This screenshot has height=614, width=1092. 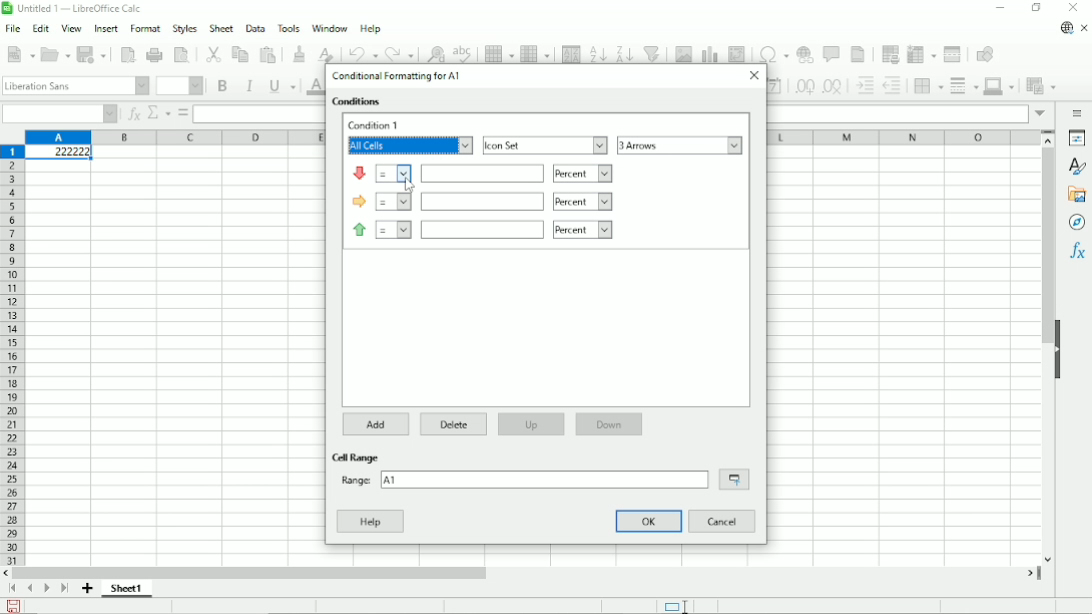 I want to click on Sort descending, so click(x=624, y=51).